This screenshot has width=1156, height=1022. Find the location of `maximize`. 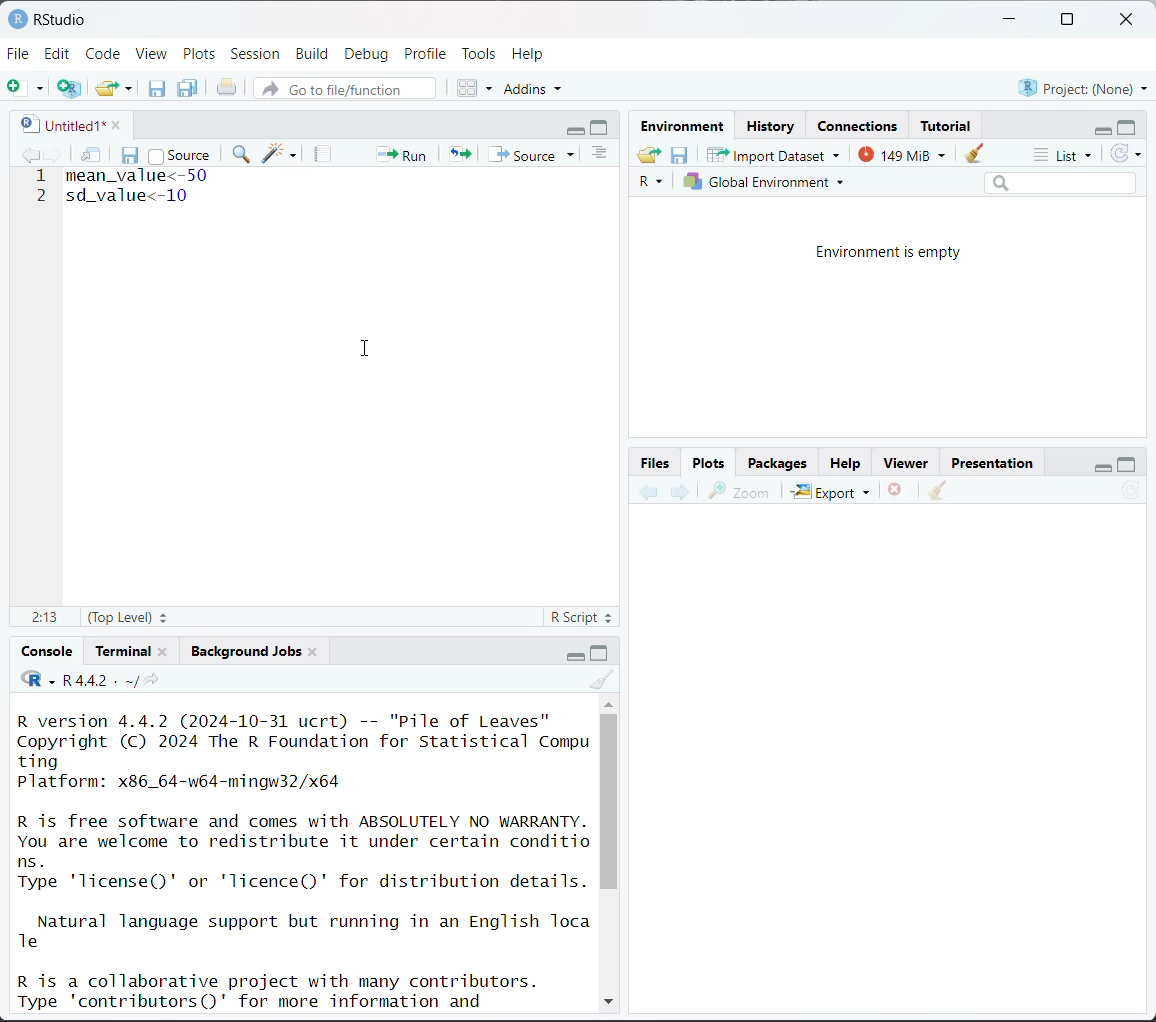

maximize is located at coordinates (602, 127).